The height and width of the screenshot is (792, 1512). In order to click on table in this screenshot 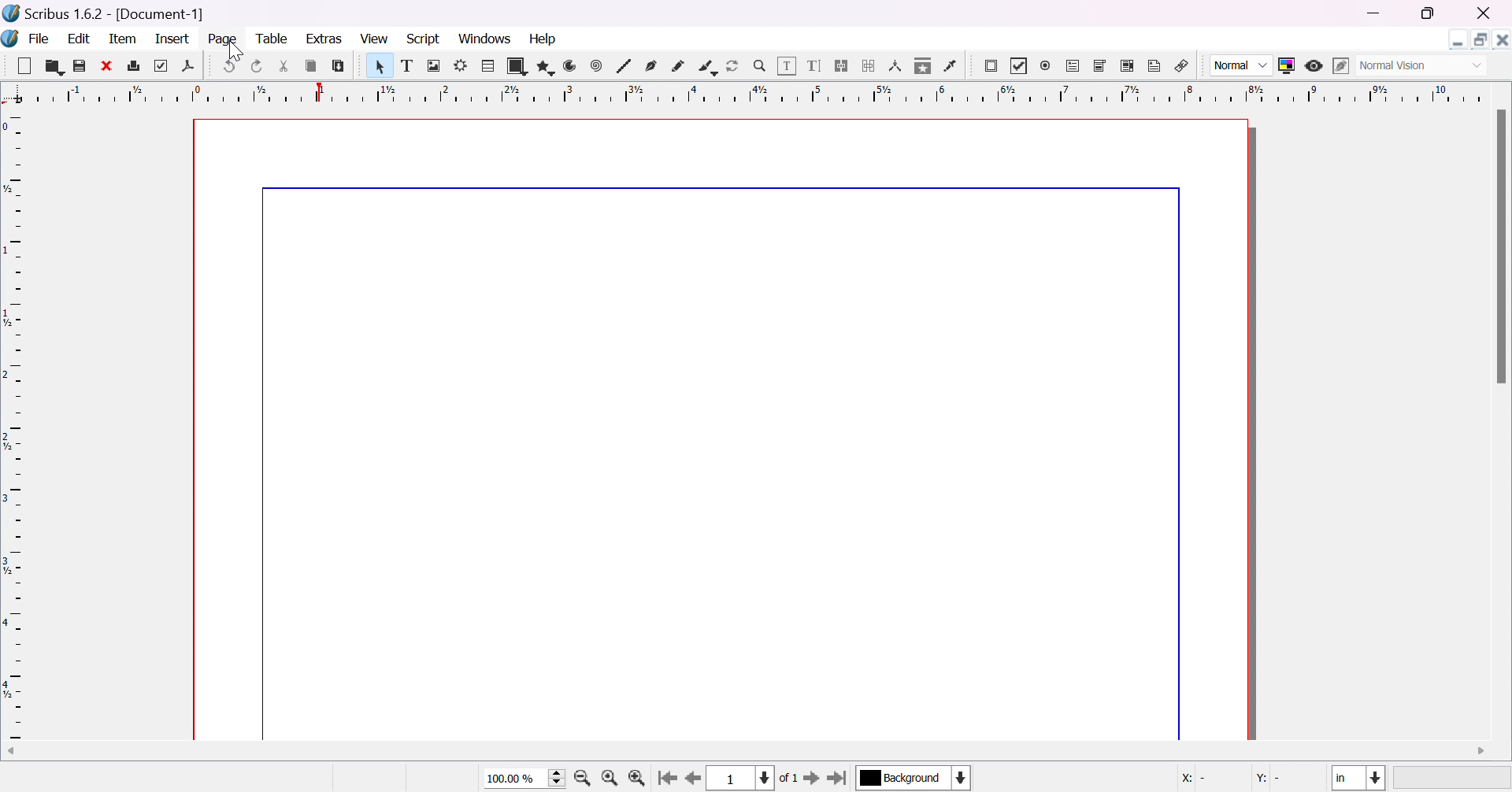, I will do `click(490, 68)`.